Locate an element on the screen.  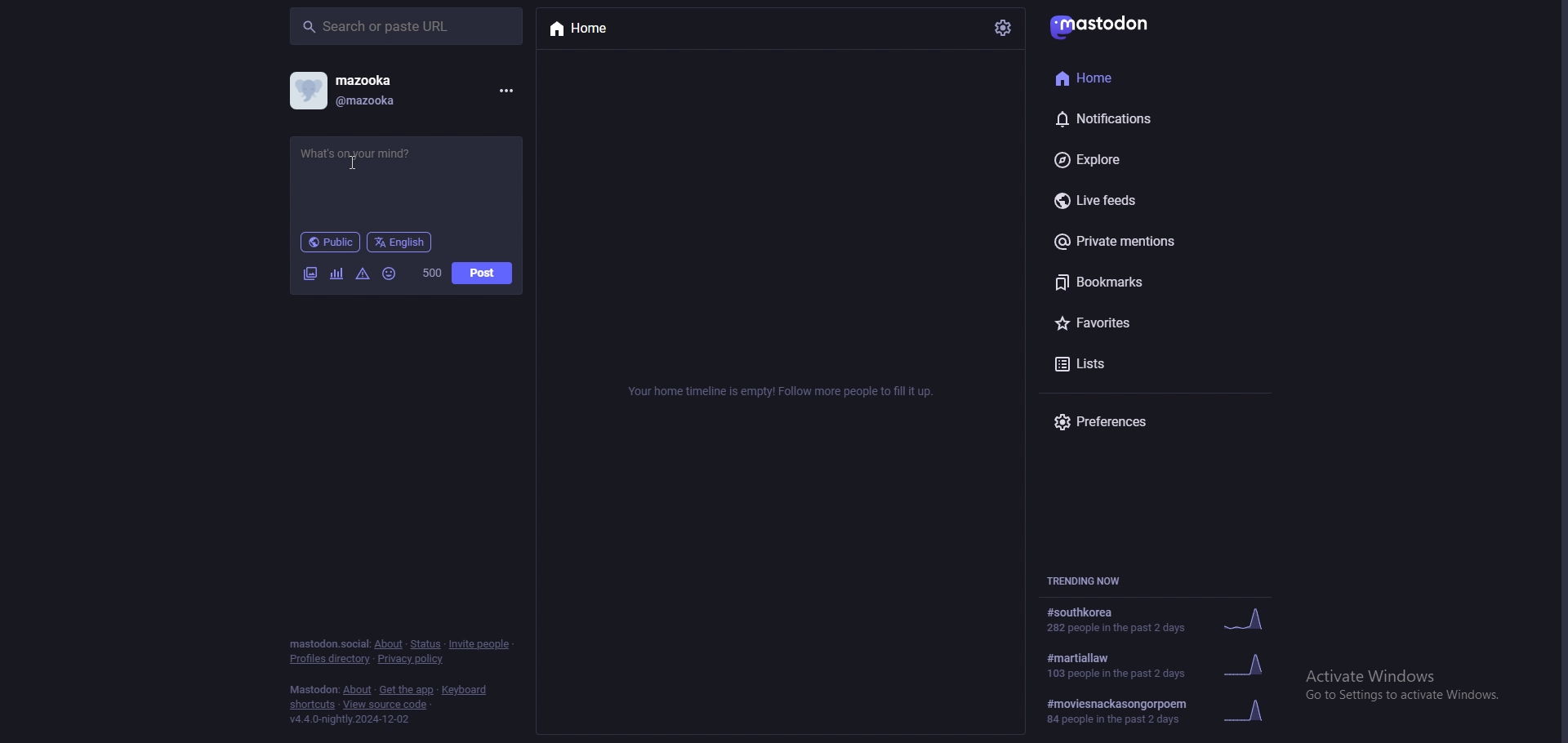
view source code is located at coordinates (388, 705).